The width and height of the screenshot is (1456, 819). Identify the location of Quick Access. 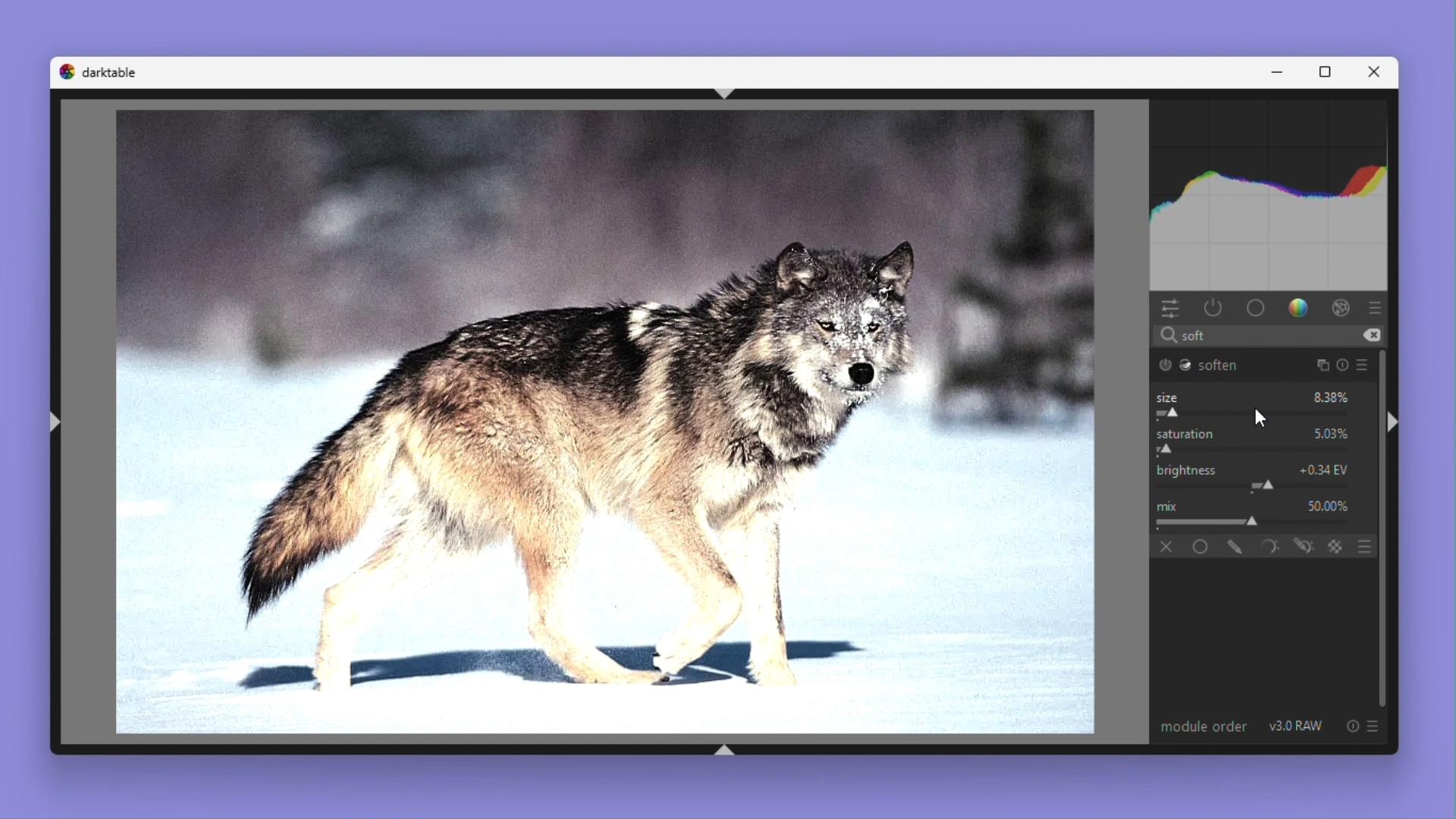
(1170, 309).